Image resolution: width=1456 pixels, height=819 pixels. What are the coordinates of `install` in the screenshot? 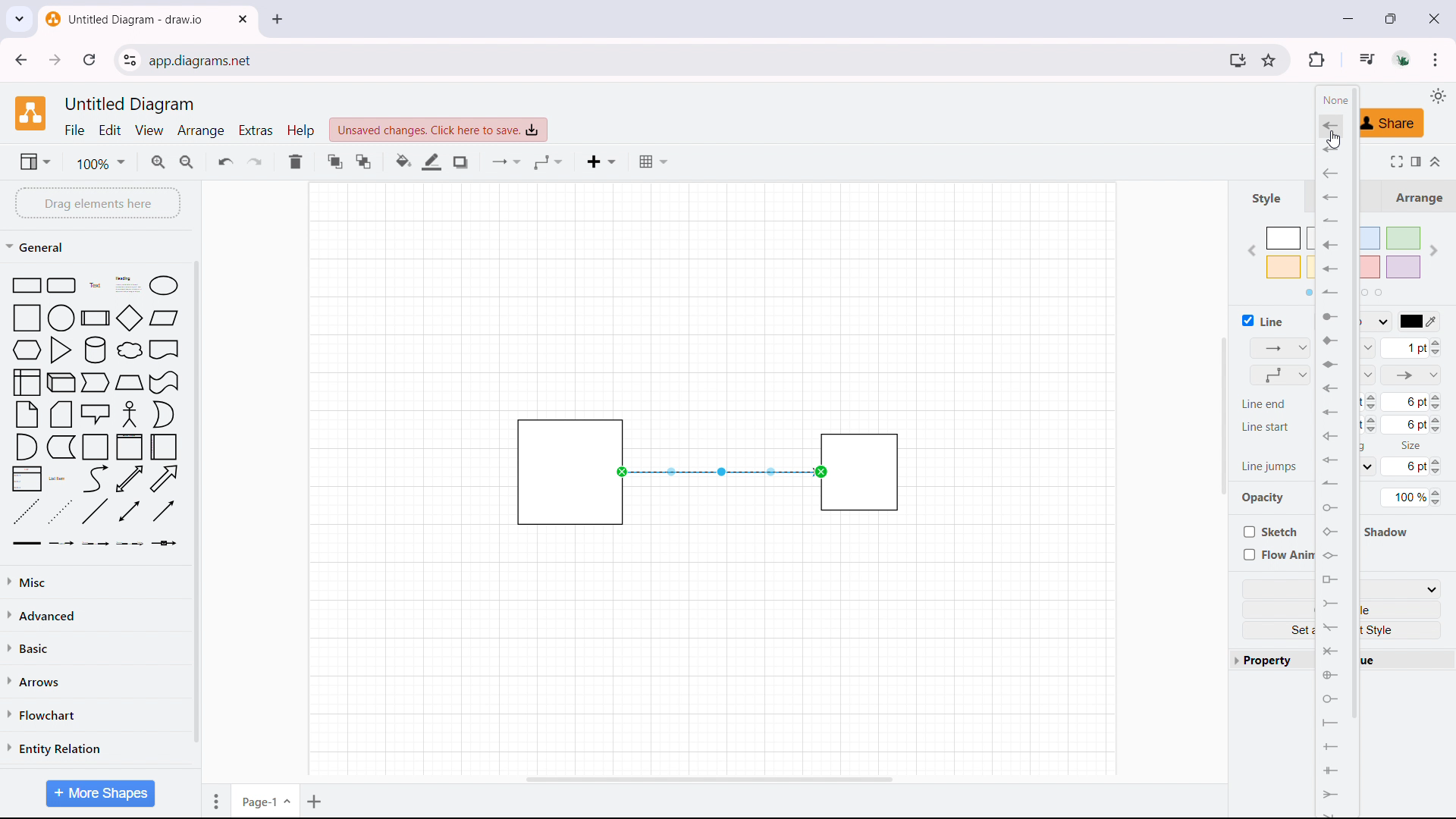 It's located at (1237, 60).